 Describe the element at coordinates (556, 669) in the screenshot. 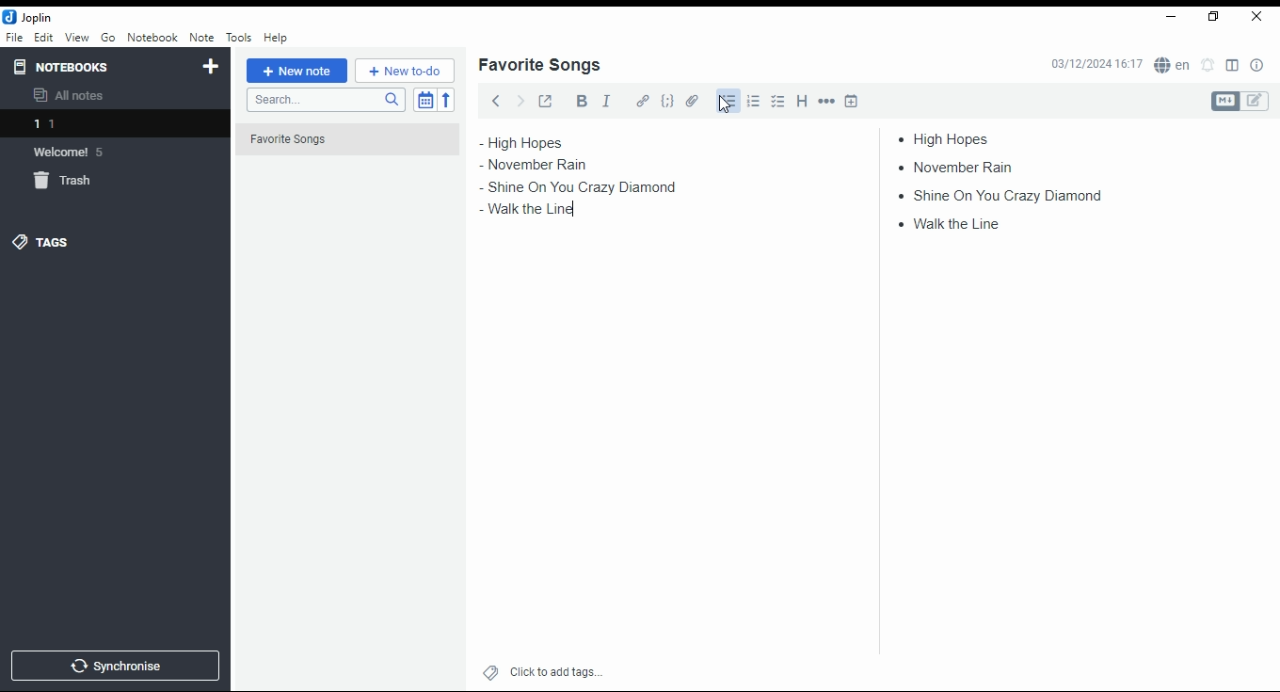

I see `click to add tags` at that location.